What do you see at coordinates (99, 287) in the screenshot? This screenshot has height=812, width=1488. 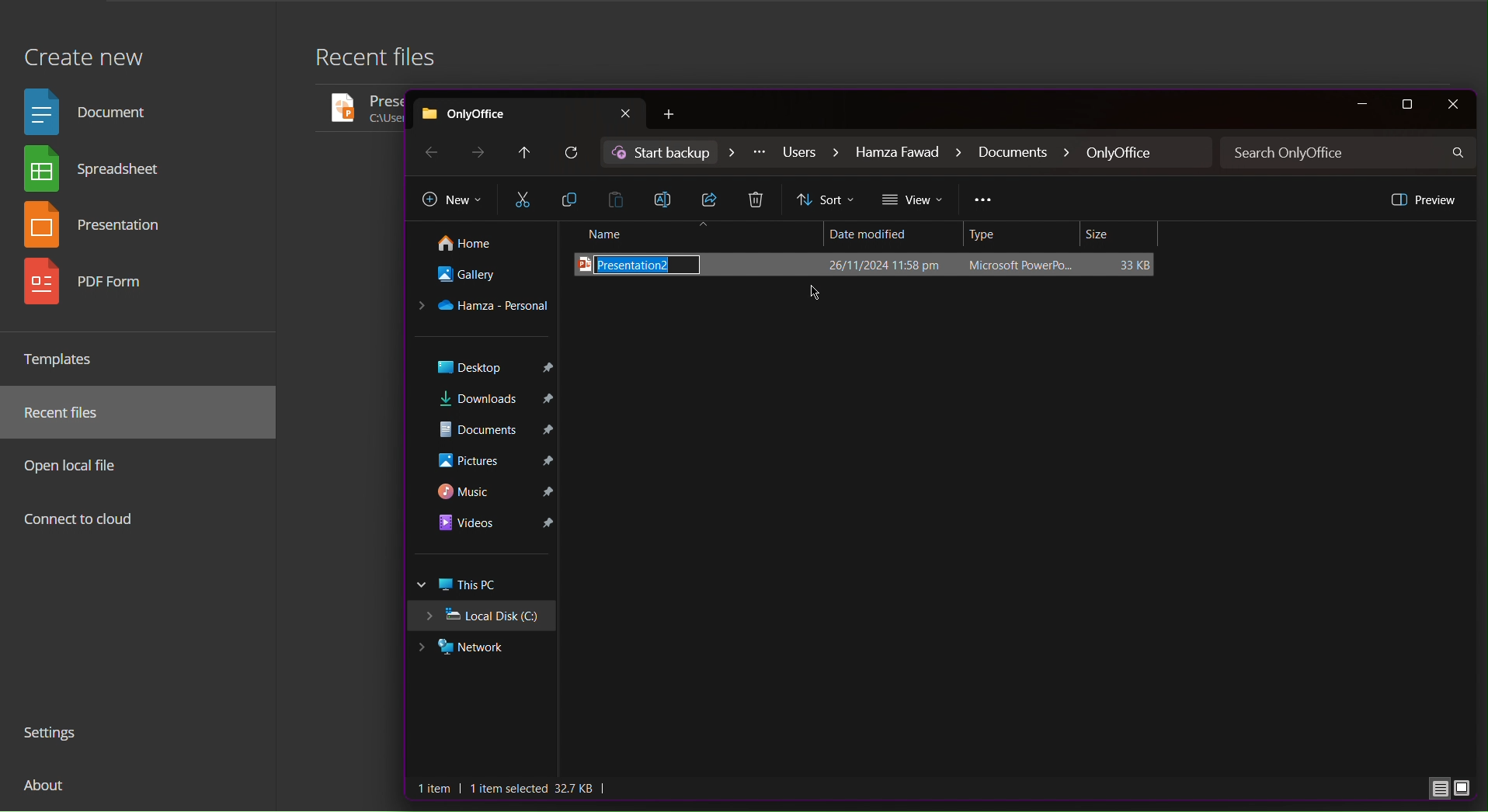 I see `PDF Form` at bounding box center [99, 287].